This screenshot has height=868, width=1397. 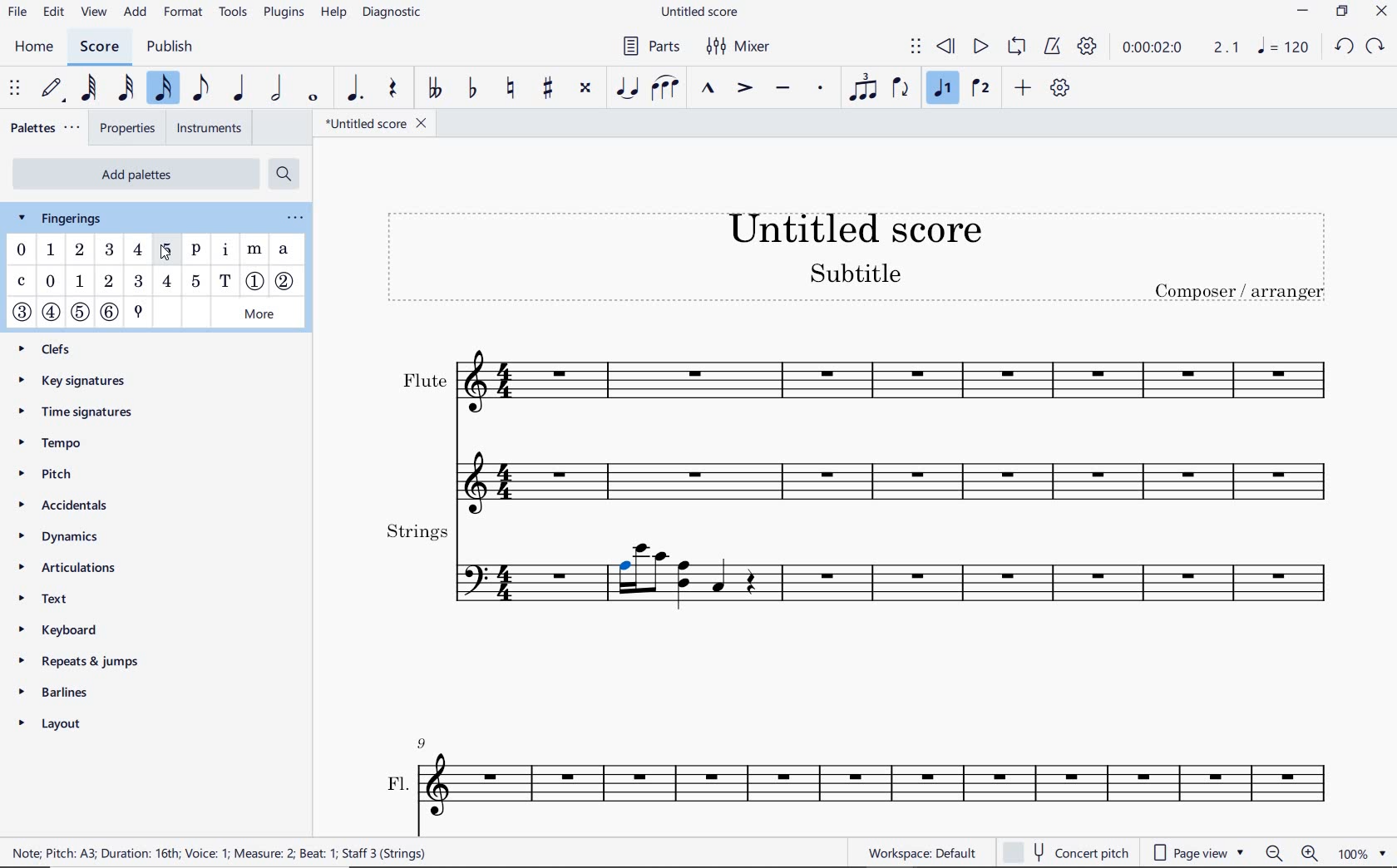 What do you see at coordinates (196, 282) in the screenshot?
I see `LH GUITAR FINGERING 5` at bounding box center [196, 282].